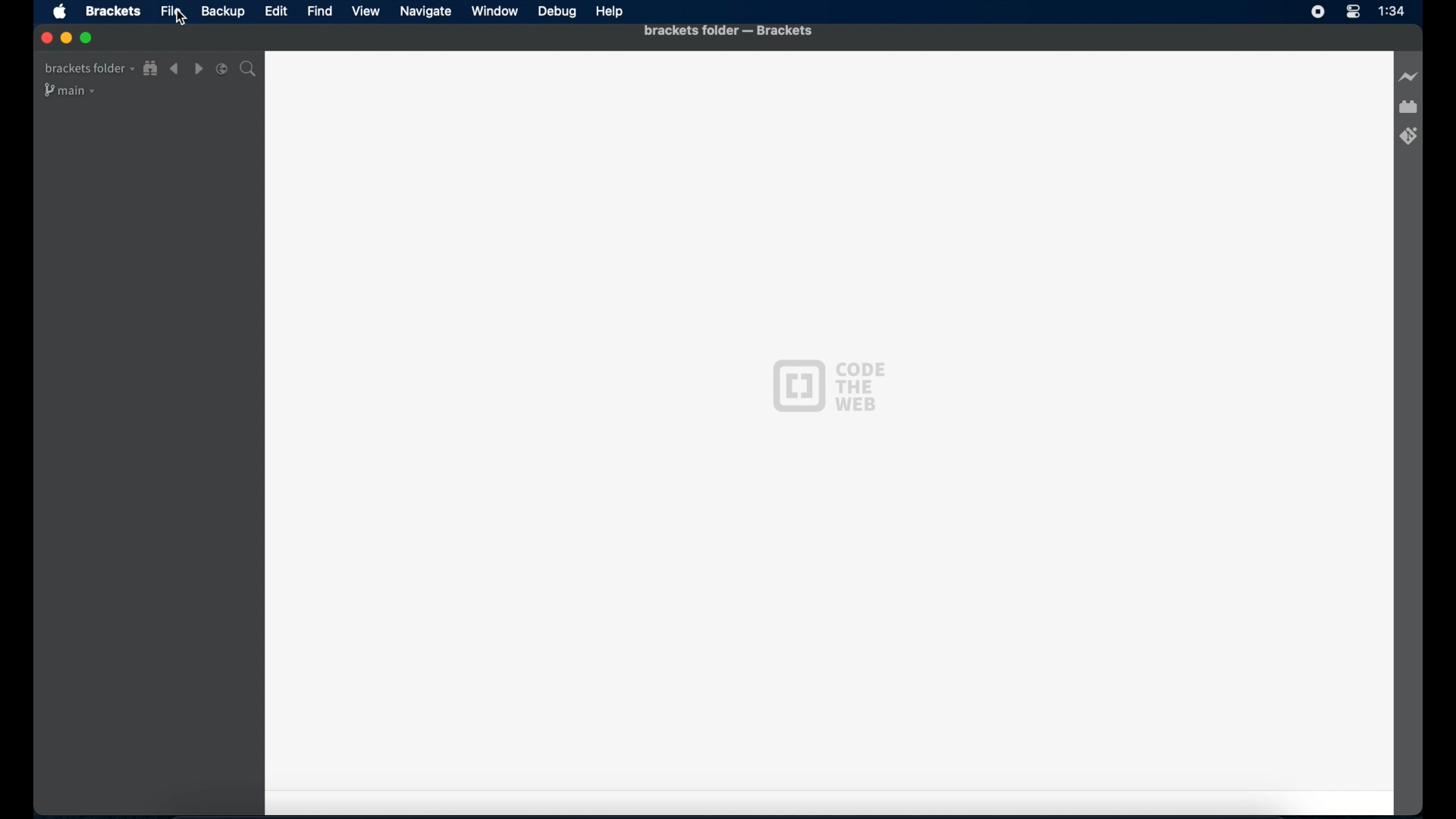 The height and width of the screenshot is (819, 1456). I want to click on Navigate forward, so click(198, 69).